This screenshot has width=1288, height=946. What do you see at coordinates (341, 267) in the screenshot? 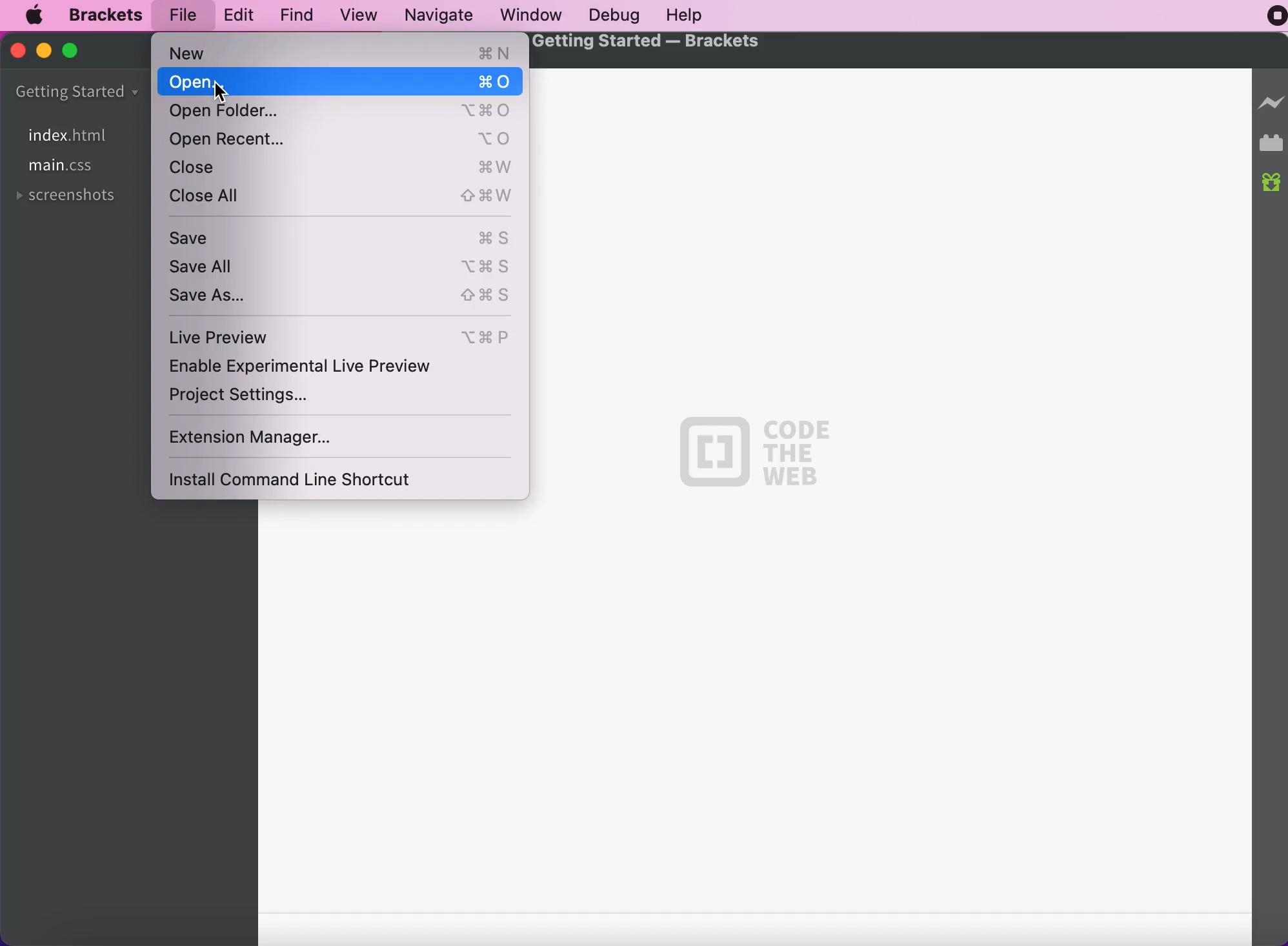
I see `save all` at bounding box center [341, 267].